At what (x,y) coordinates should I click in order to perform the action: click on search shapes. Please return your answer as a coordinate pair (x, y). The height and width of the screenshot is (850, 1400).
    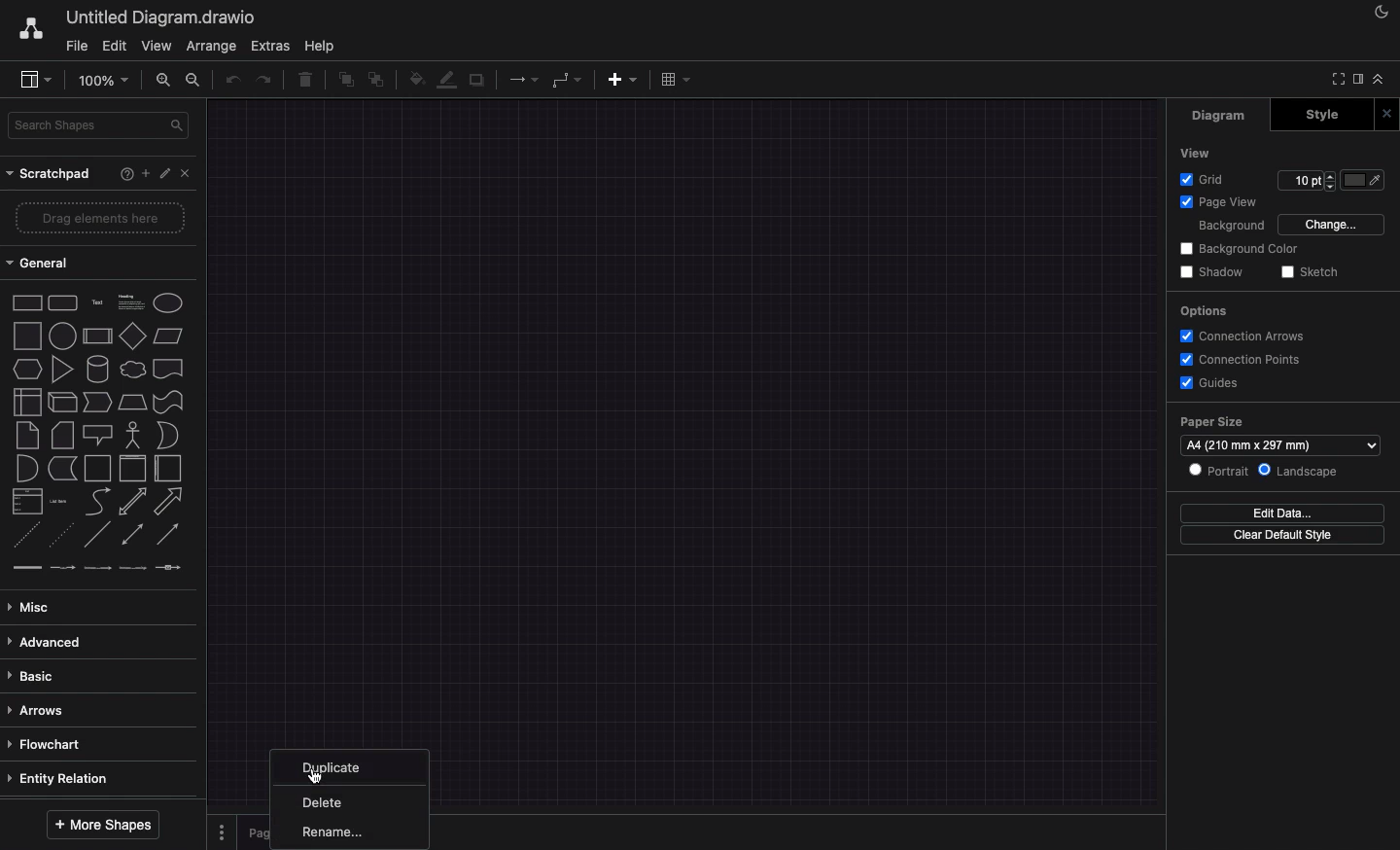
    Looking at the image, I should click on (95, 125).